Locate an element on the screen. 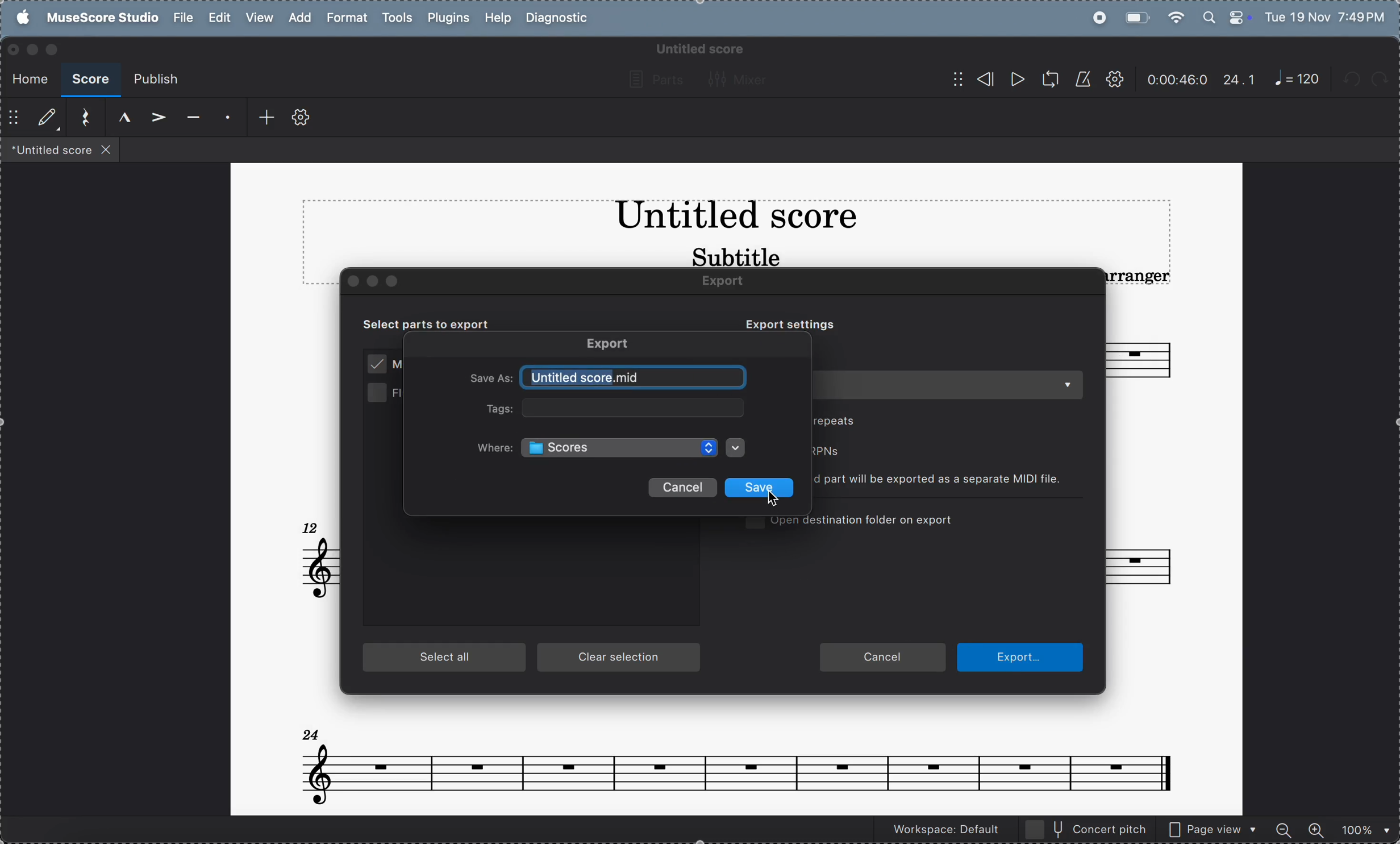 Image resolution: width=1400 pixels, height=844 pixels. add is located at coordinates (260, 118).